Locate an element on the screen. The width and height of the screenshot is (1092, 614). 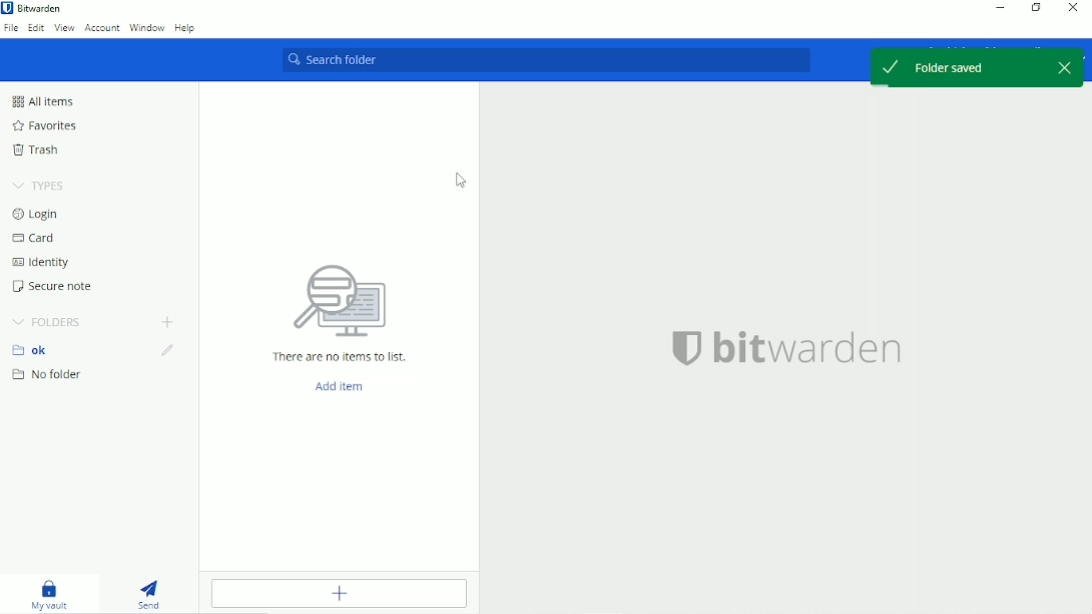
My vault is located at coordinates (51, 596).